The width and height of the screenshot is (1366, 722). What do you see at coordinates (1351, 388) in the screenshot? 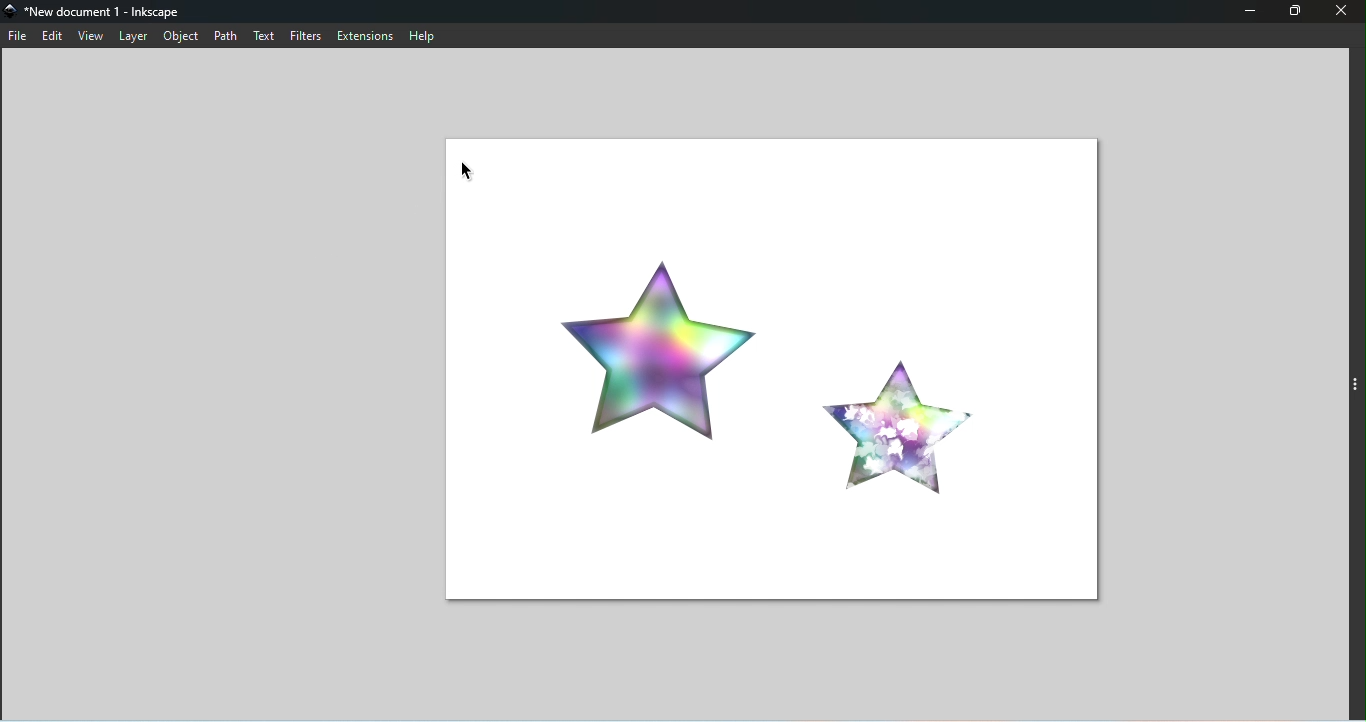
I see `Toggle command panel` at bounding box center [1351, 388].